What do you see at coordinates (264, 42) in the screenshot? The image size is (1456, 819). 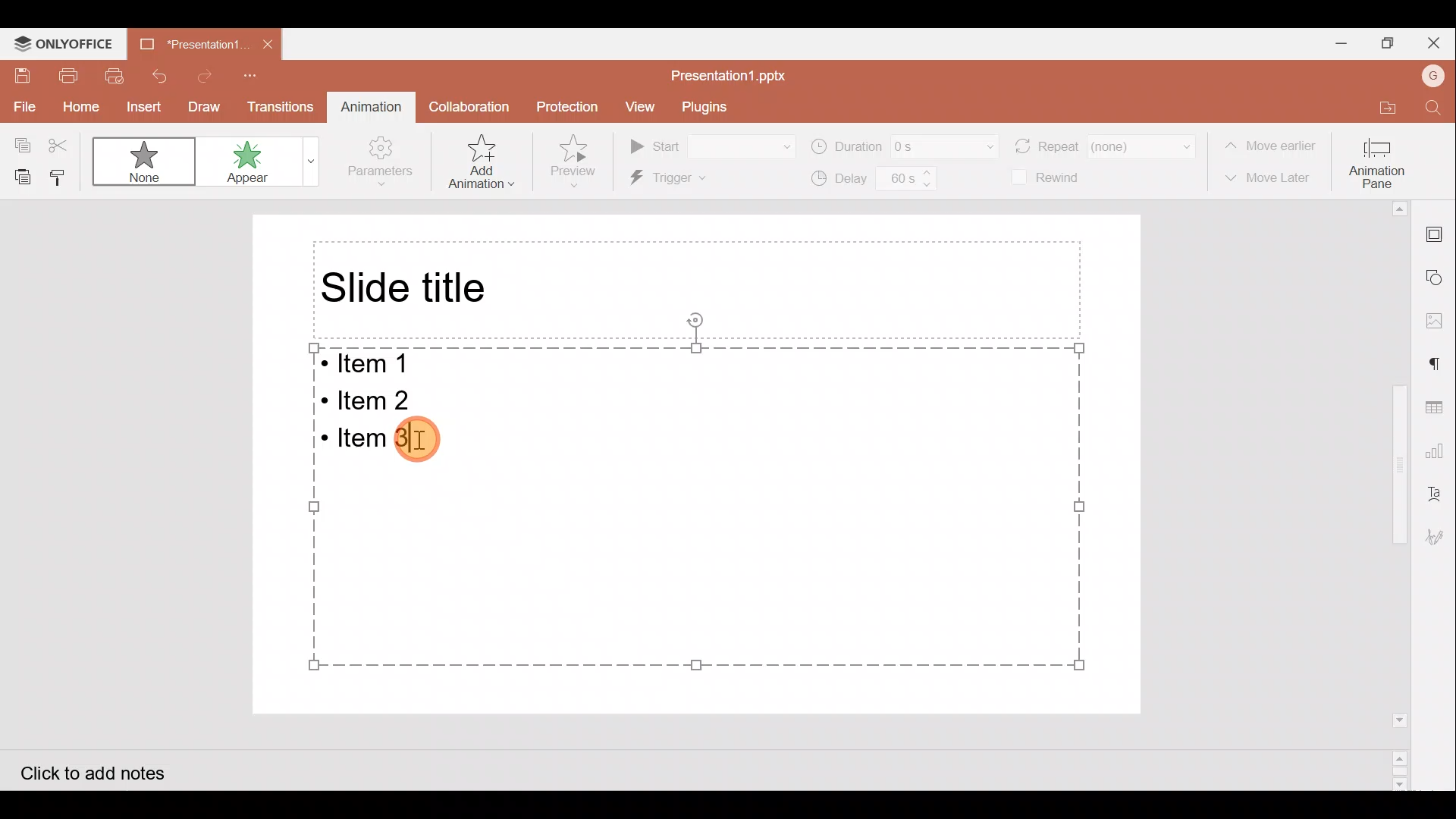 I see `Close document` at bounding box center [264, 42].